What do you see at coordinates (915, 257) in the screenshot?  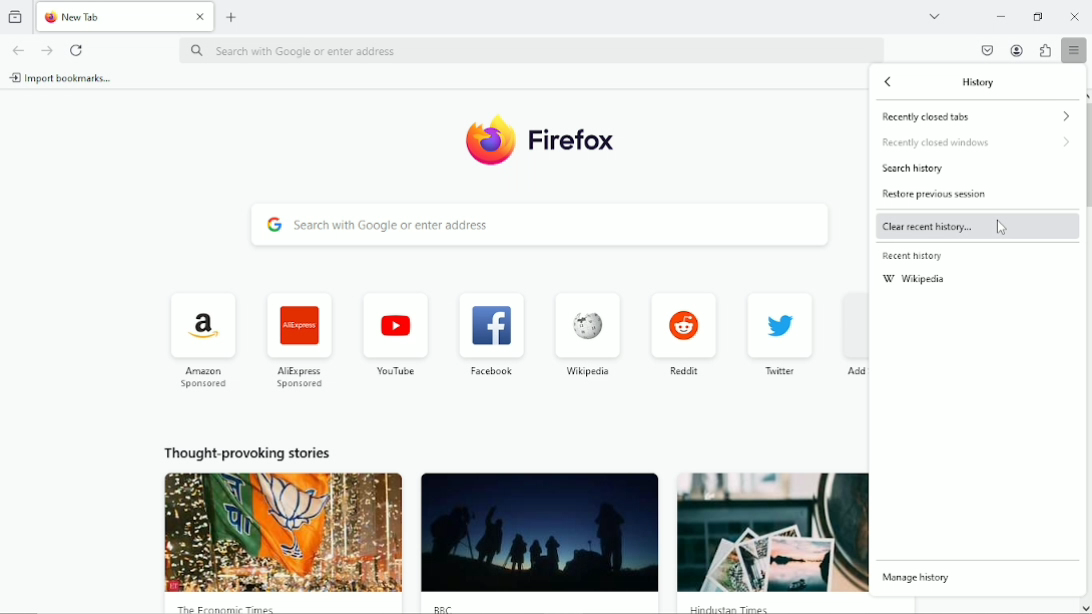 I see `Recent history` at bounding box center [915, 257].